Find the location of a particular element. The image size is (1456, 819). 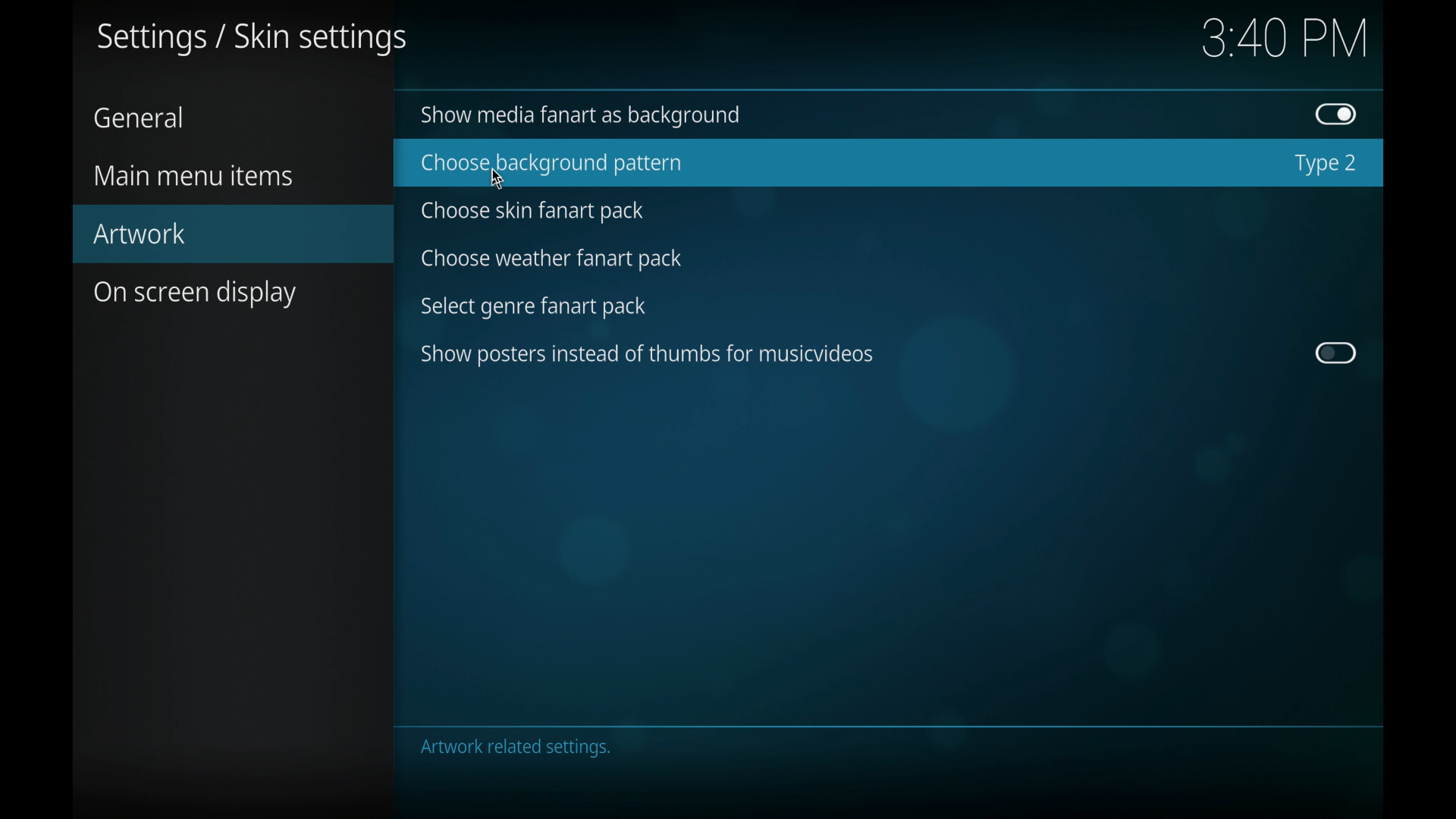

artwork is located at coordinates (234, 234).